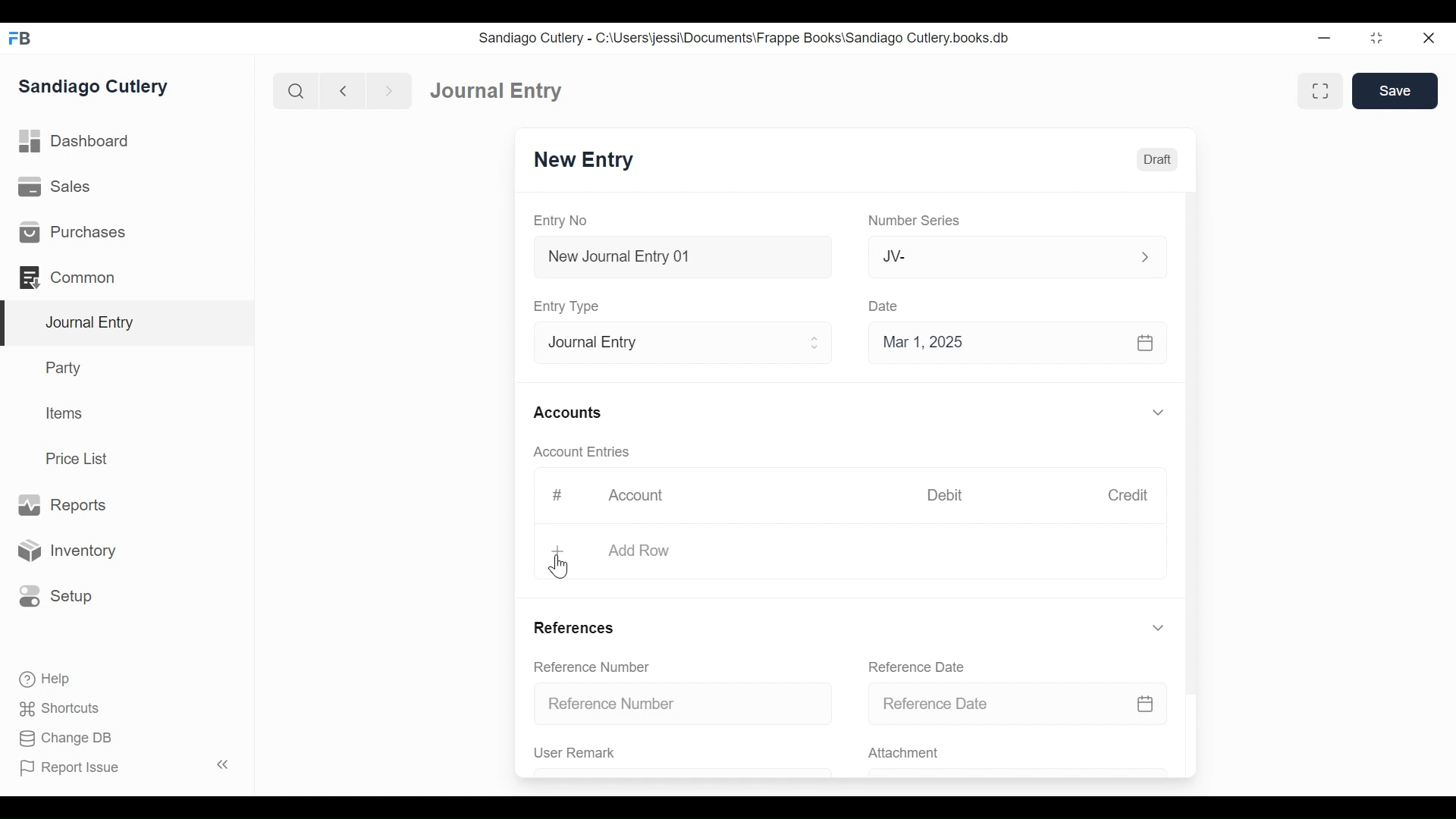 The image size is (1456, 819). I want to click on Sandiago Cutlery, so click(102, 88).